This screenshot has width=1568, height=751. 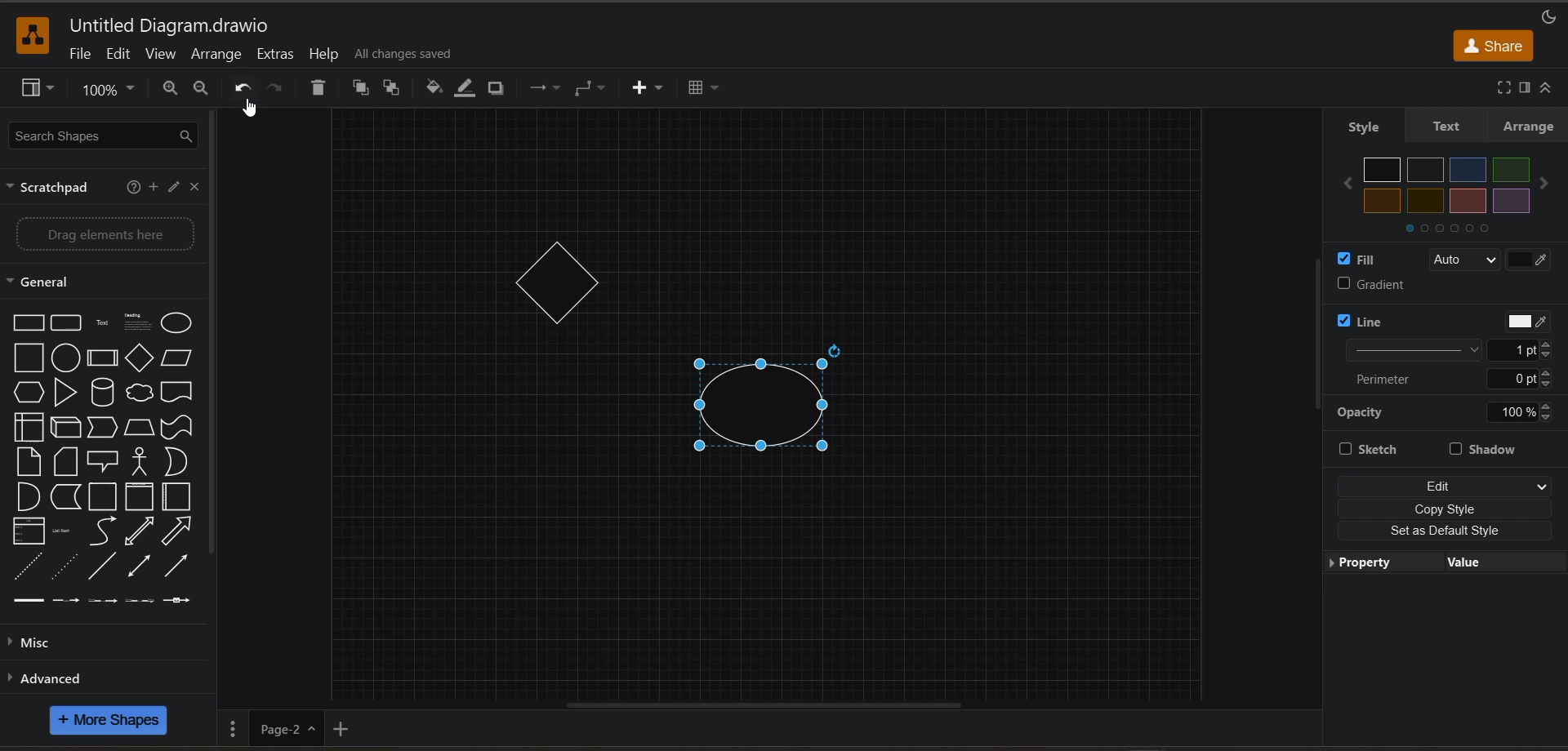 What do you see at coordinates (1448, 411) in the screenshot?
I see `opacity` at bounding box center [1448, 411].